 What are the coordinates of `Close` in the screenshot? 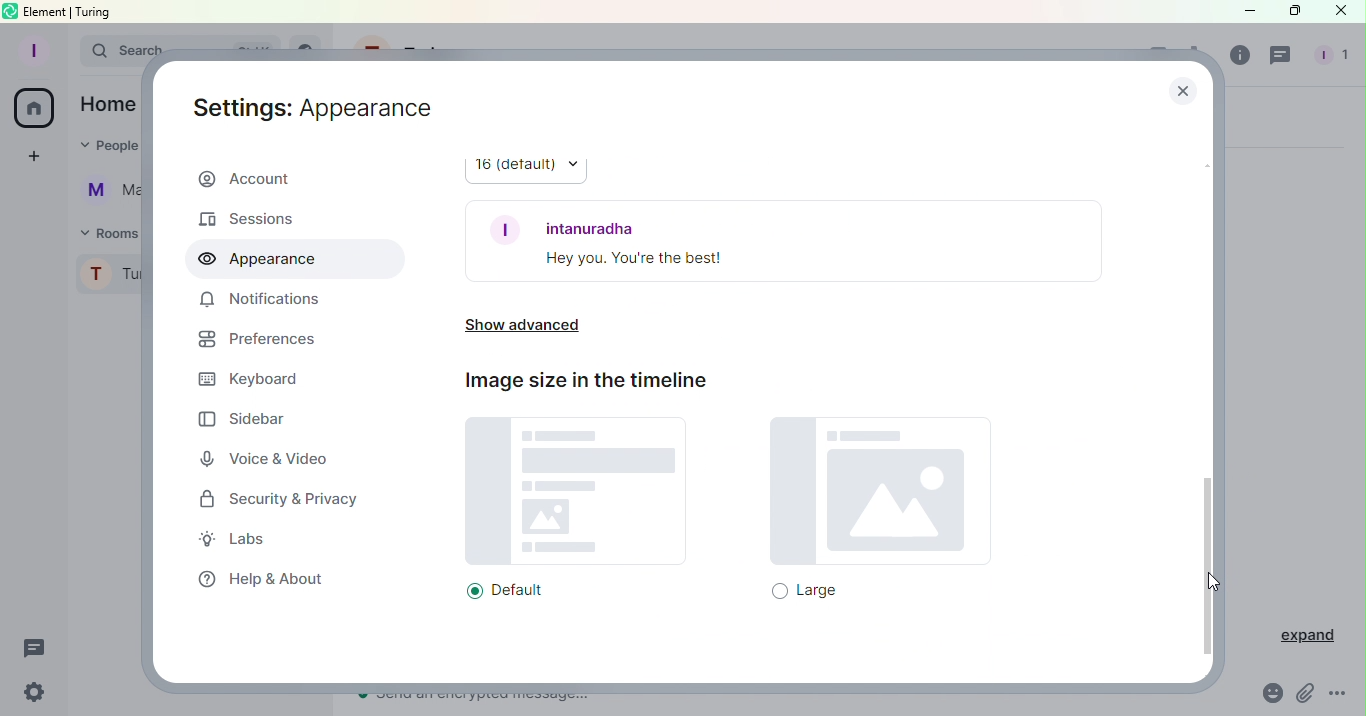 It's located at (1342, 12).